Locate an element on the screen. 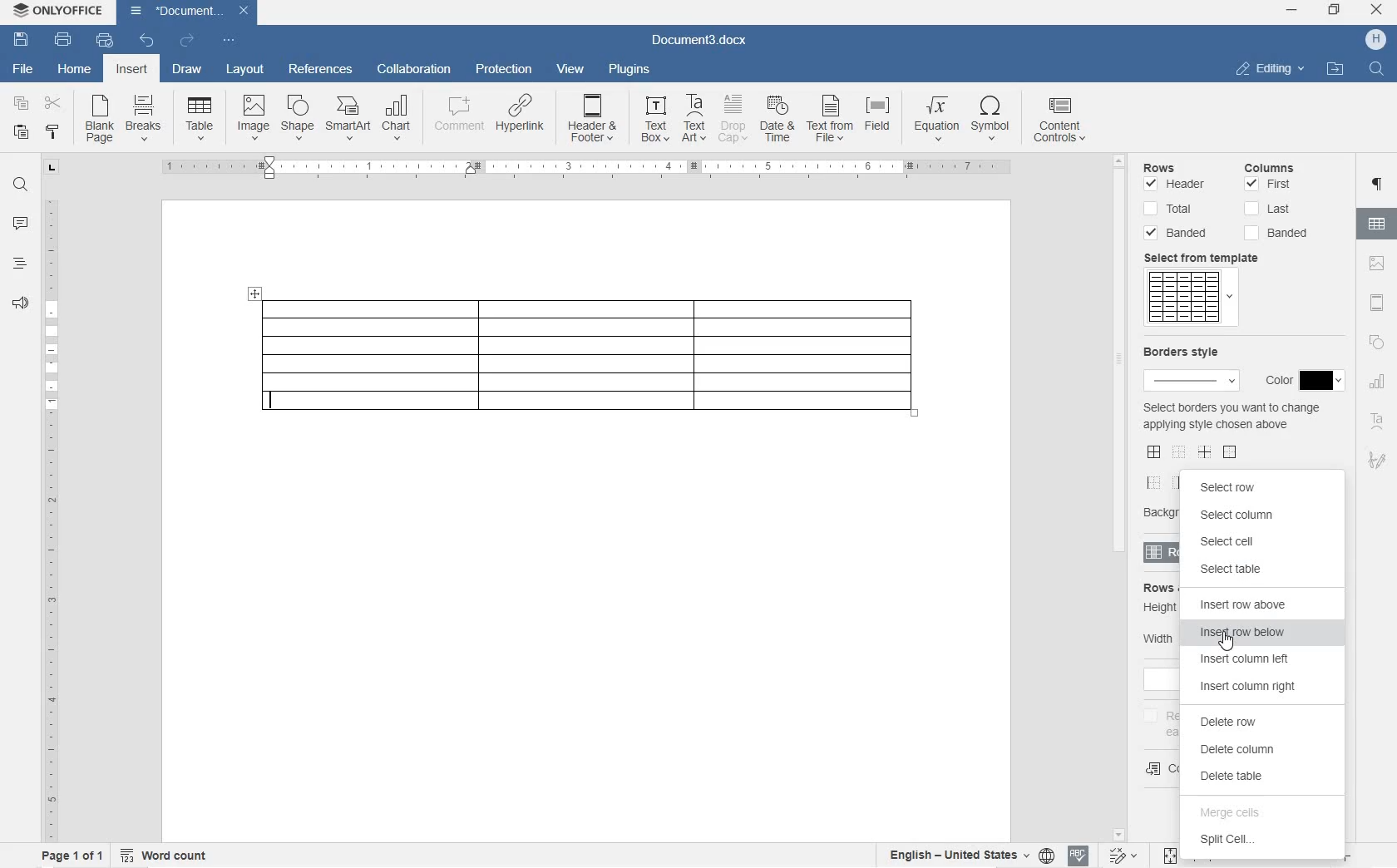 This screenshot has height=868, width=1397. EDITING is located at coordinates (1271, 70).